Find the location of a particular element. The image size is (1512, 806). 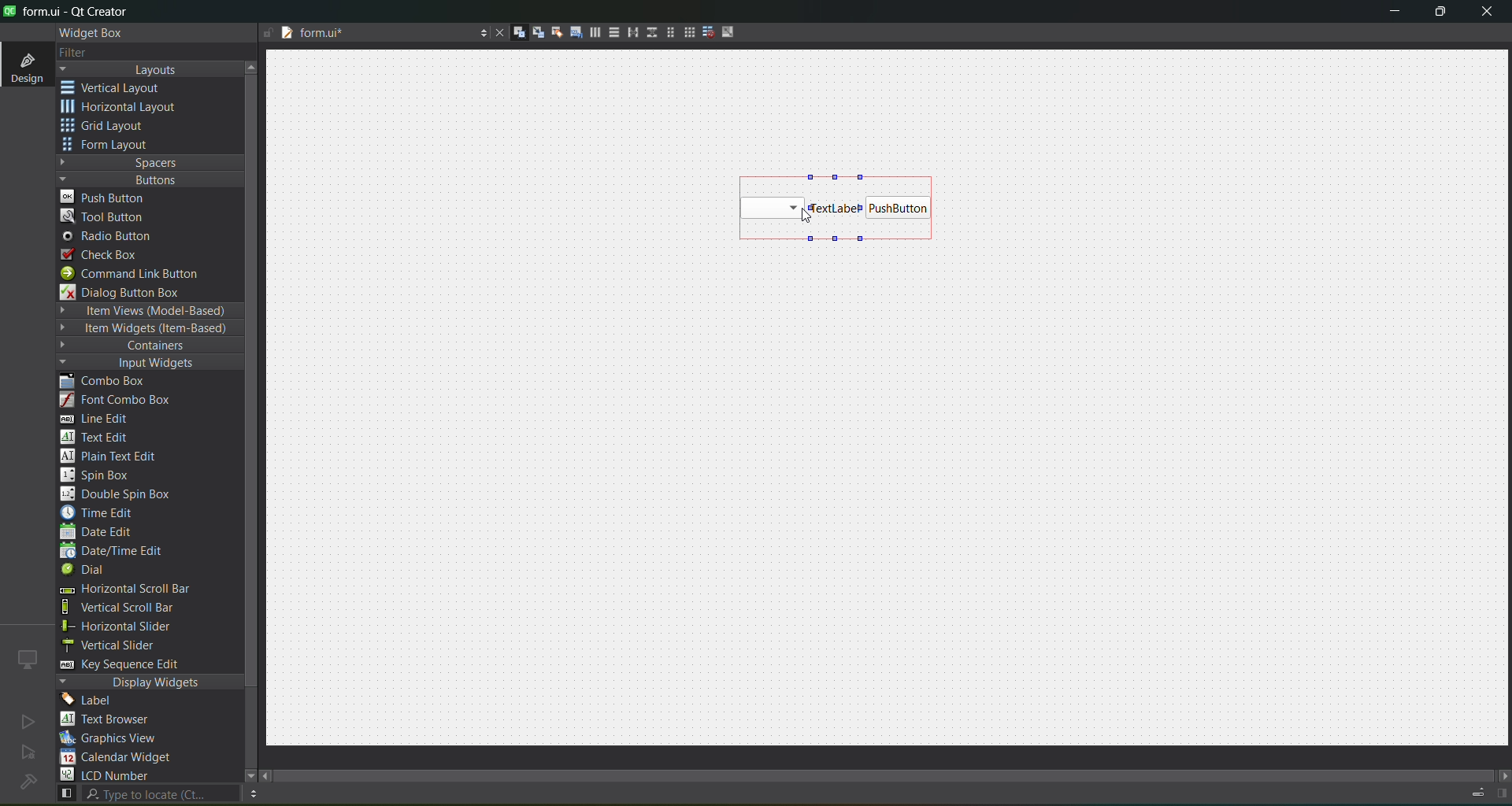

minimize is located at coordinates (1395, 14).